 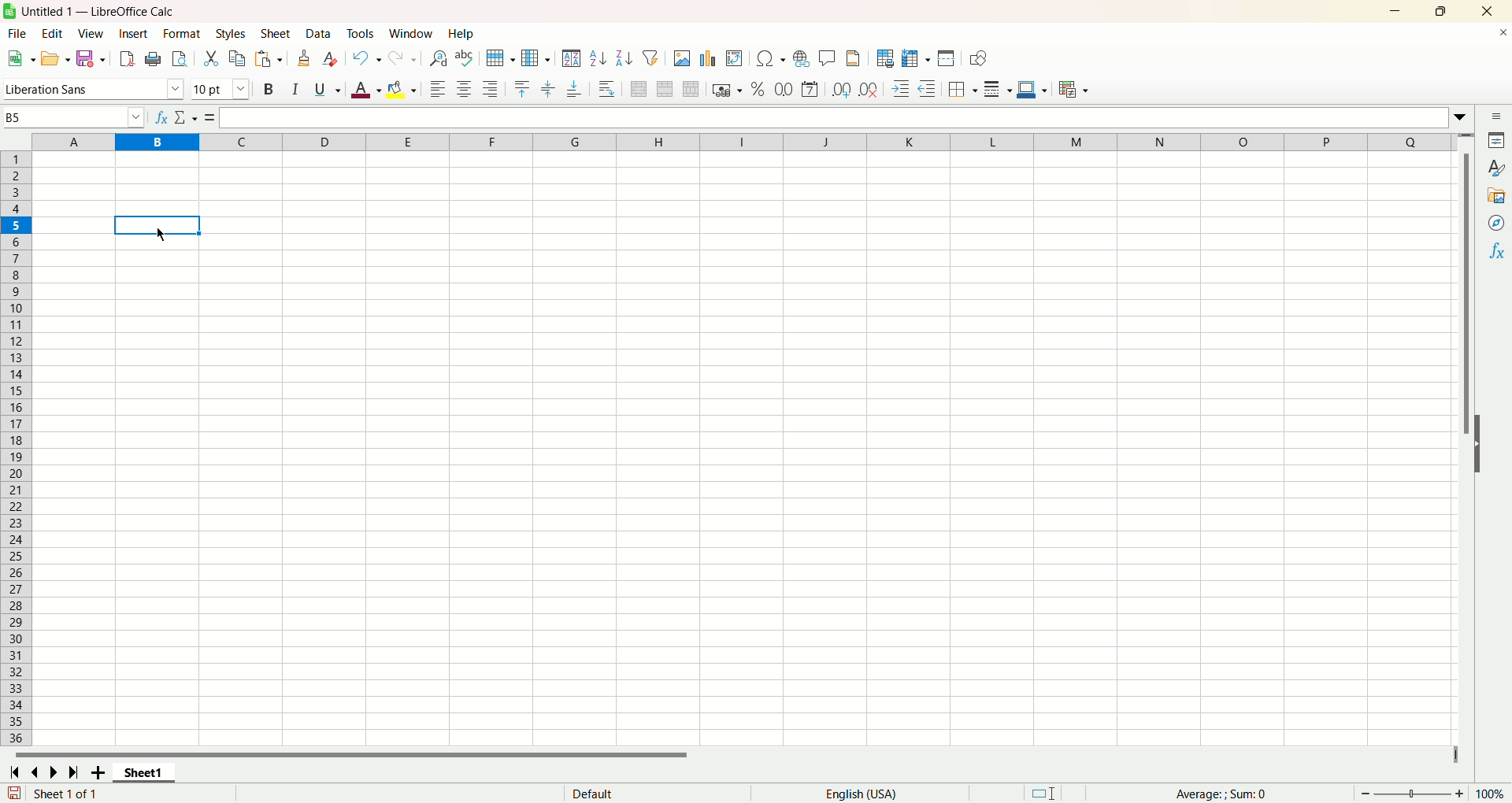 What do you see at coordinates (666, 87) in the screenshot?
I see `merge cells` at bounding box center [666, 87].